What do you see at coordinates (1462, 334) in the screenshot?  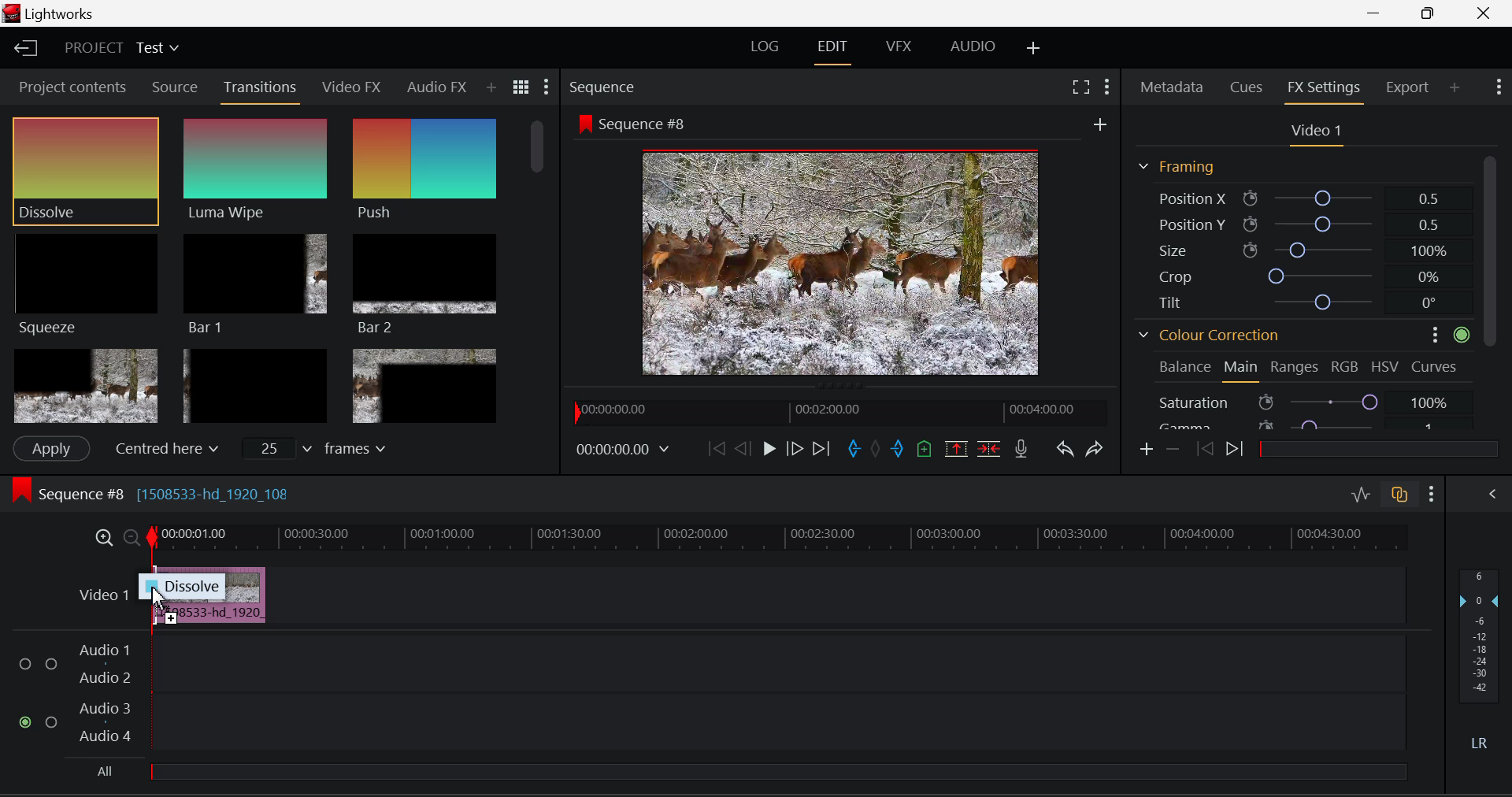 I see `active` at bounding box center [1462, 334].